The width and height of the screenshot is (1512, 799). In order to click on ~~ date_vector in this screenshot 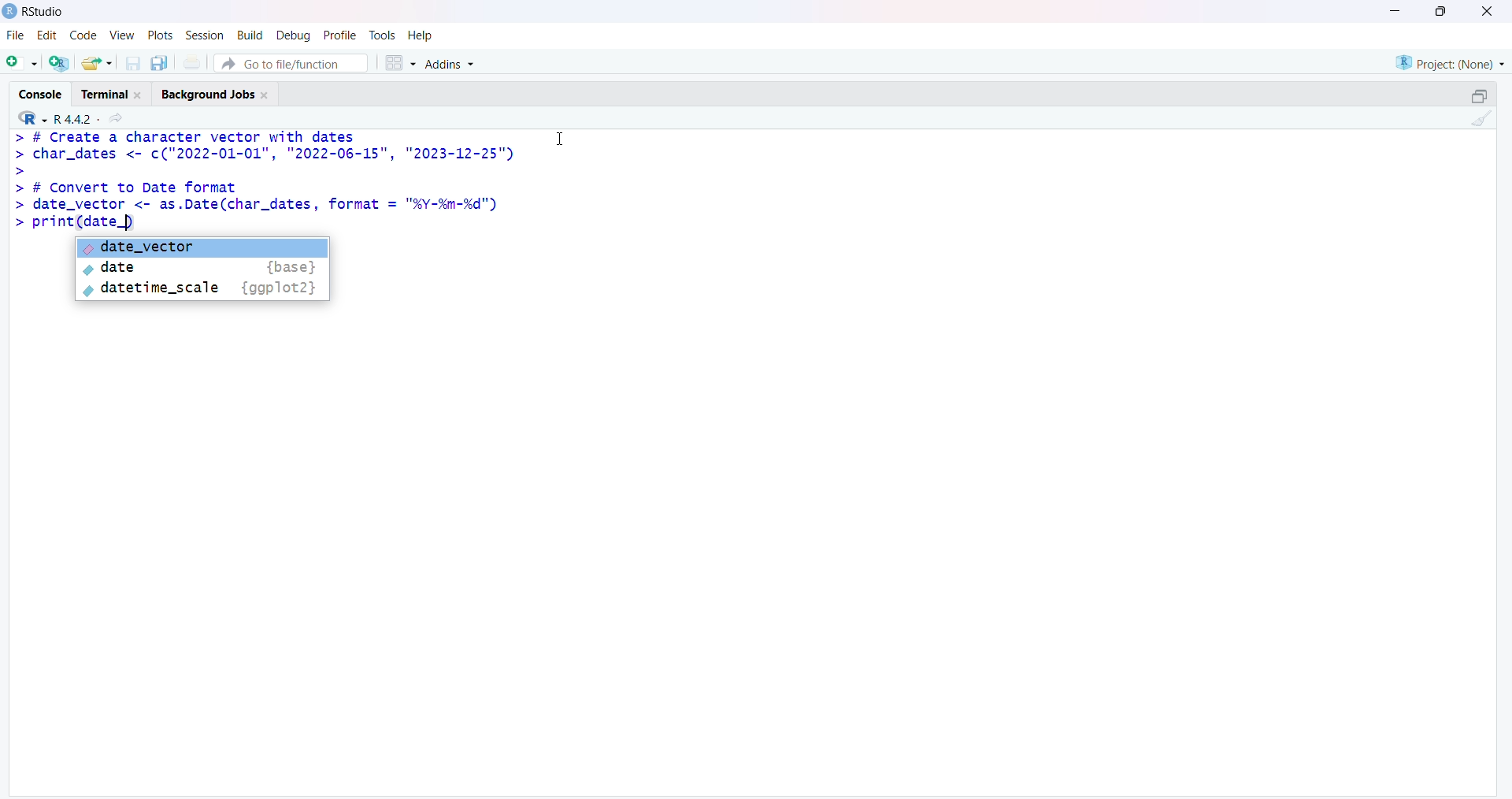, I will do `click(205, 248)`.